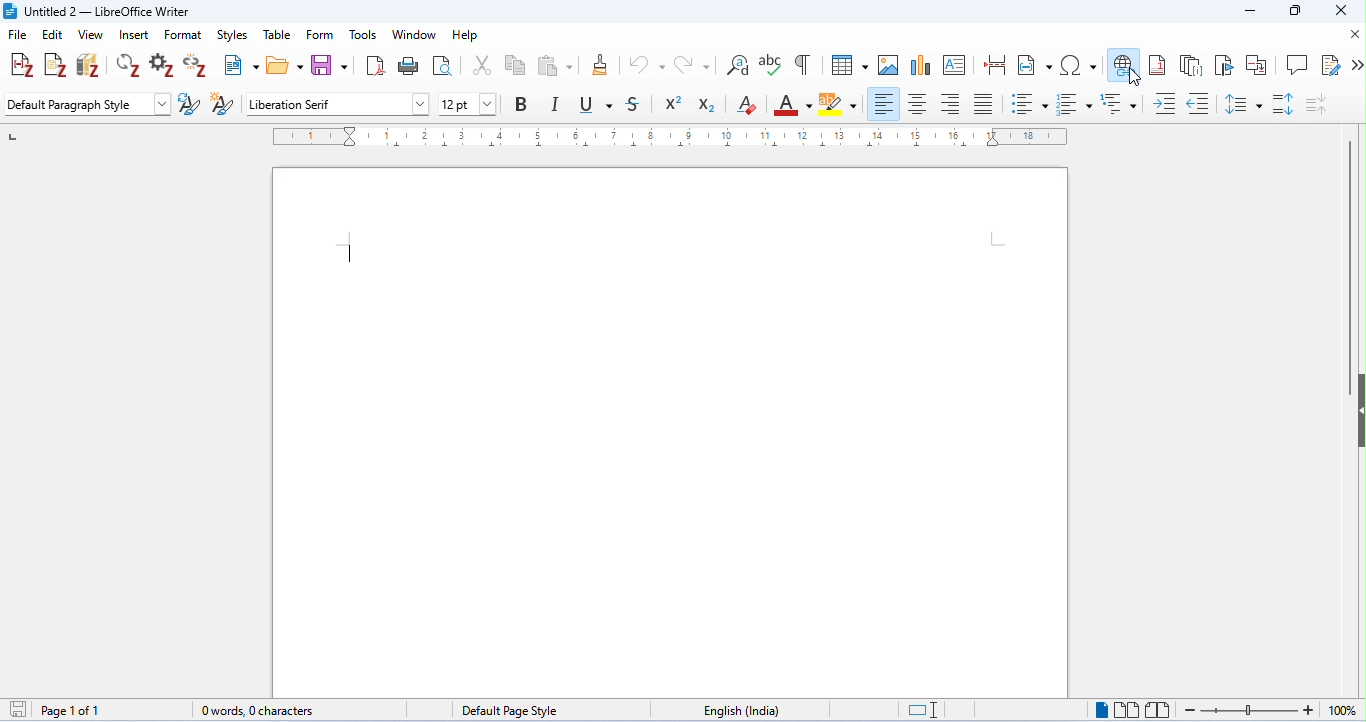  What do you see at coordinates (919, 105) in the screenshot?
I see `align center` at bounding box center [919, 105].